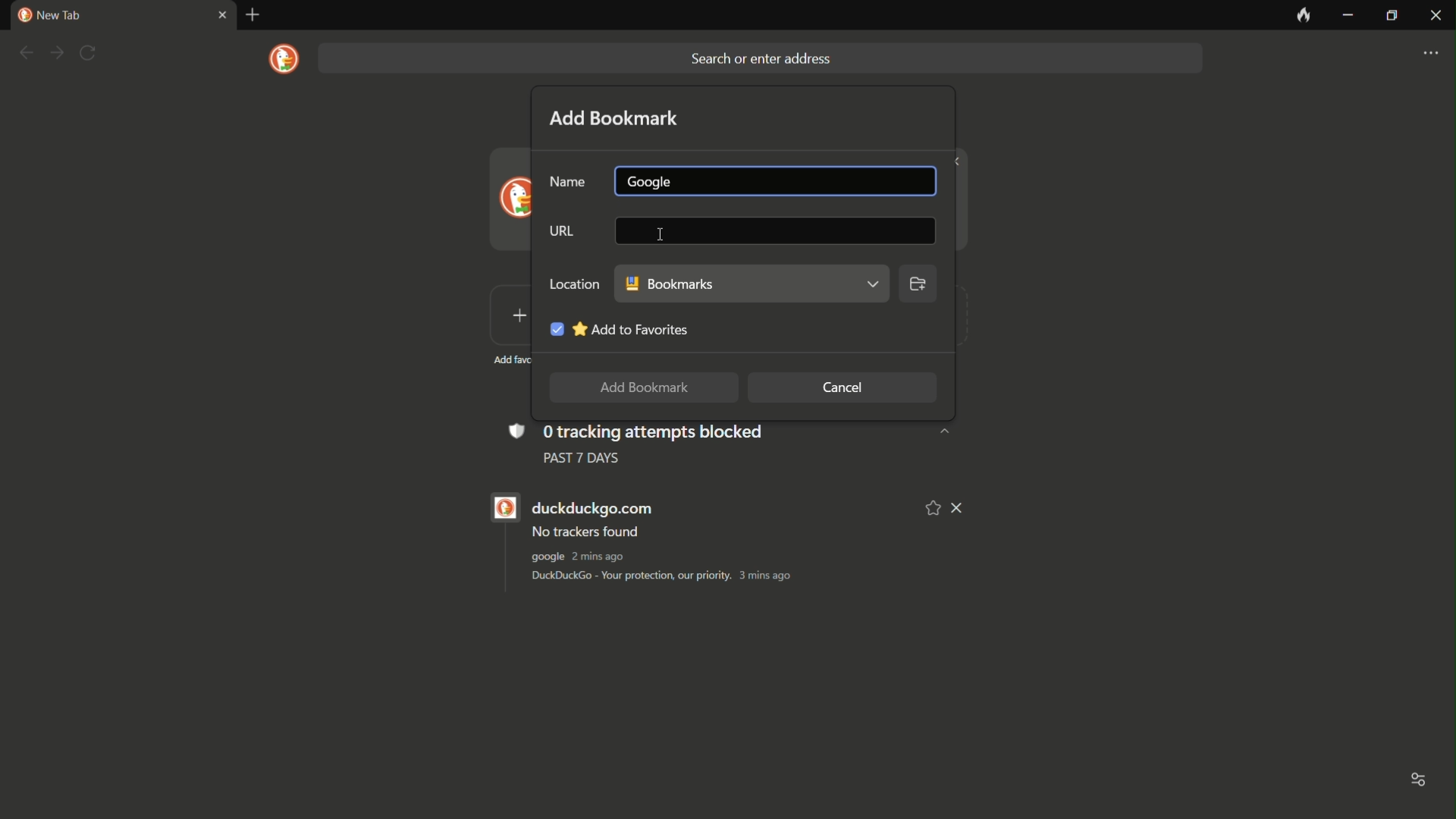 Image resolution: width=1456 pixels, height=819 pixels. I want to click on bookmark, so click(752, 284).